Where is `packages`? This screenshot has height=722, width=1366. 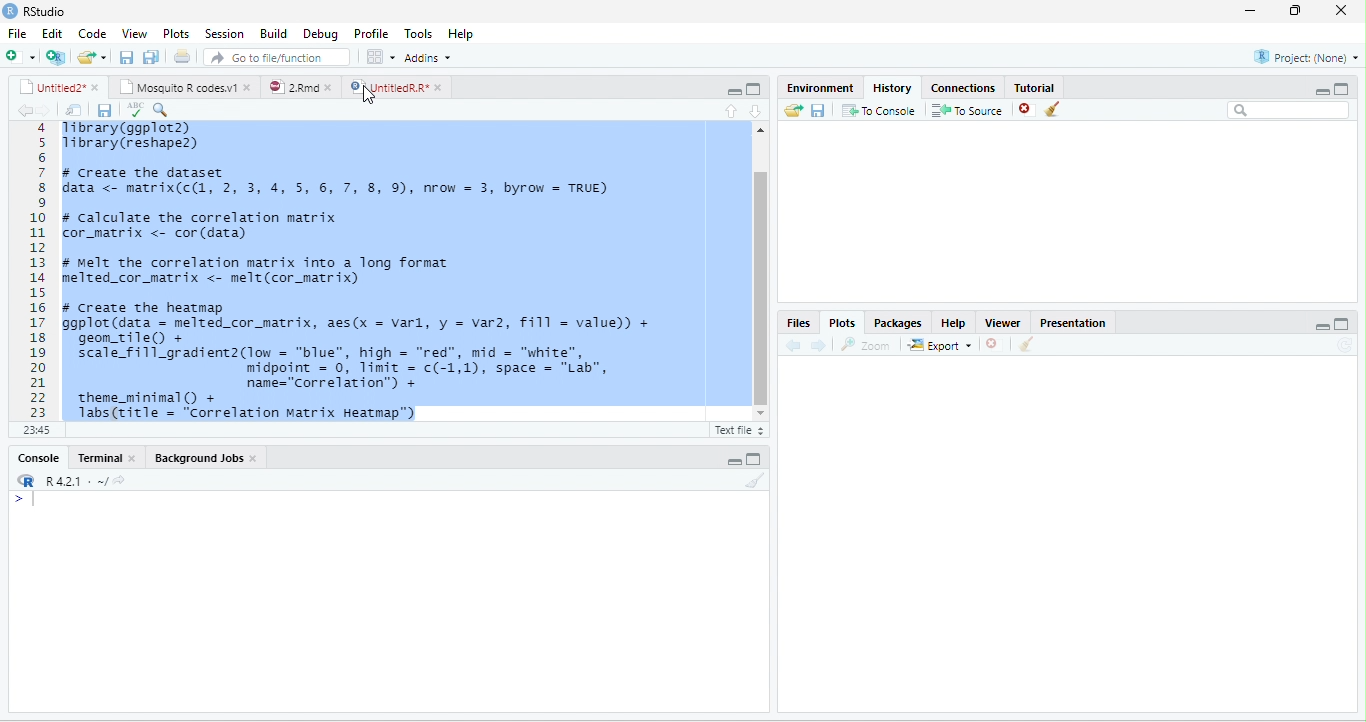 packages is located at coordinates (897, 322).